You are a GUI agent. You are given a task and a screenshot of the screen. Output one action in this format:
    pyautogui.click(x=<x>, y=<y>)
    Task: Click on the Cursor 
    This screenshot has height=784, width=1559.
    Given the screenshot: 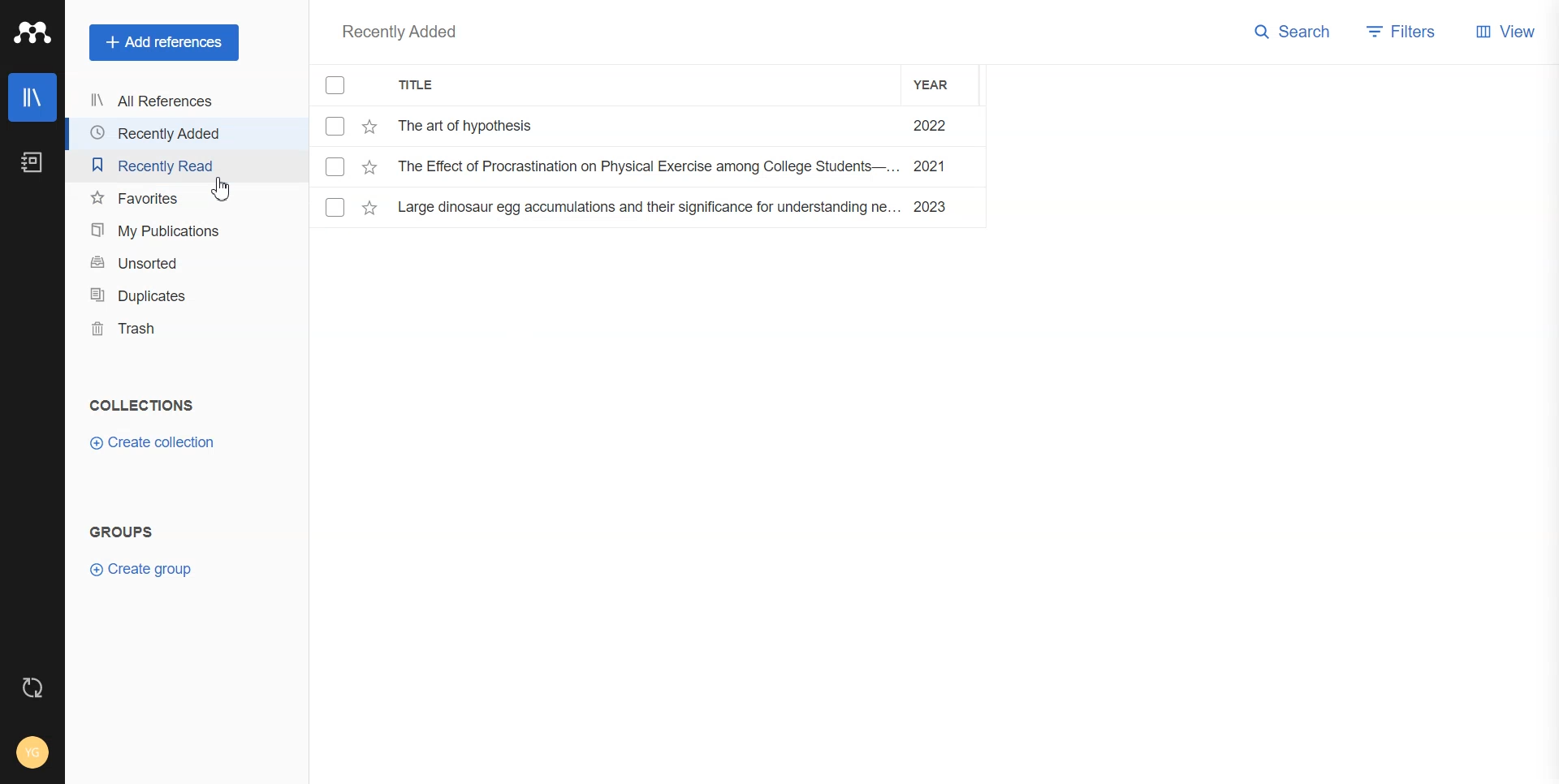 What is the action you would take?
    pyautogui.click(x=222, y=190)
    